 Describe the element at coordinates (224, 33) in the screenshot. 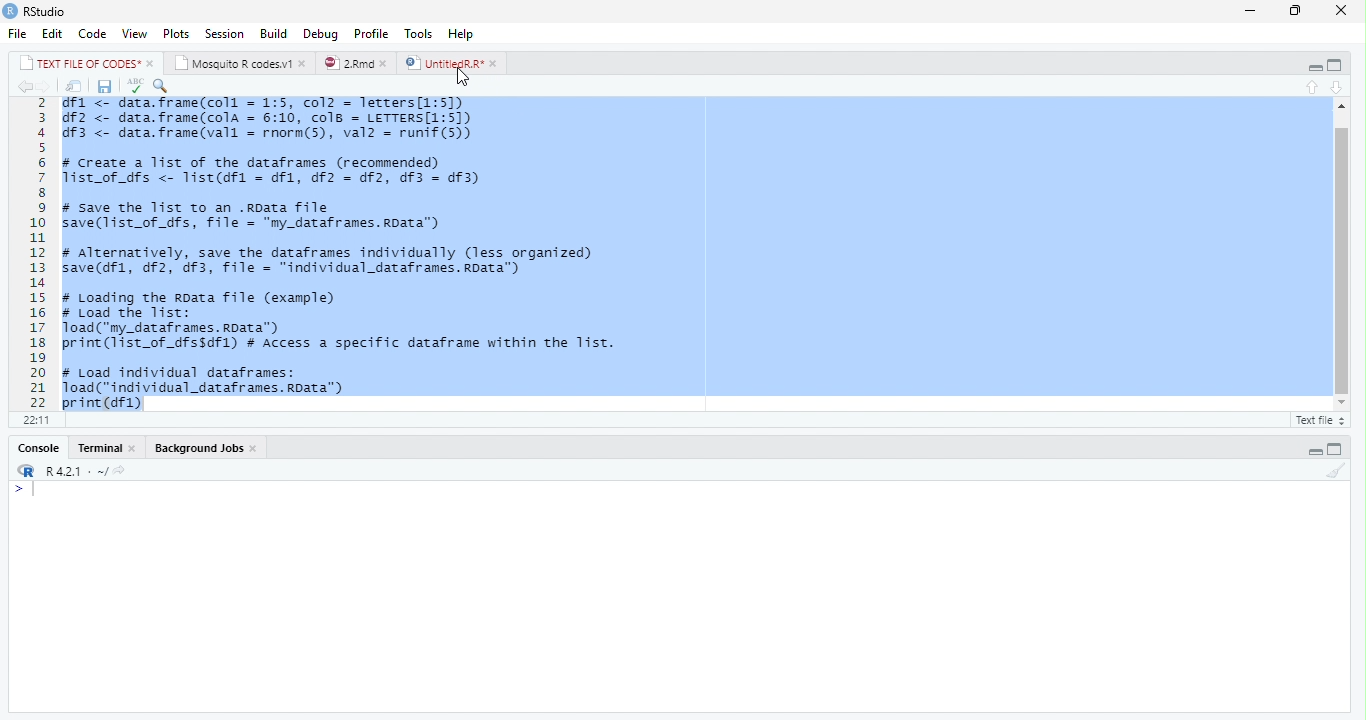

I see `Session` at that location.